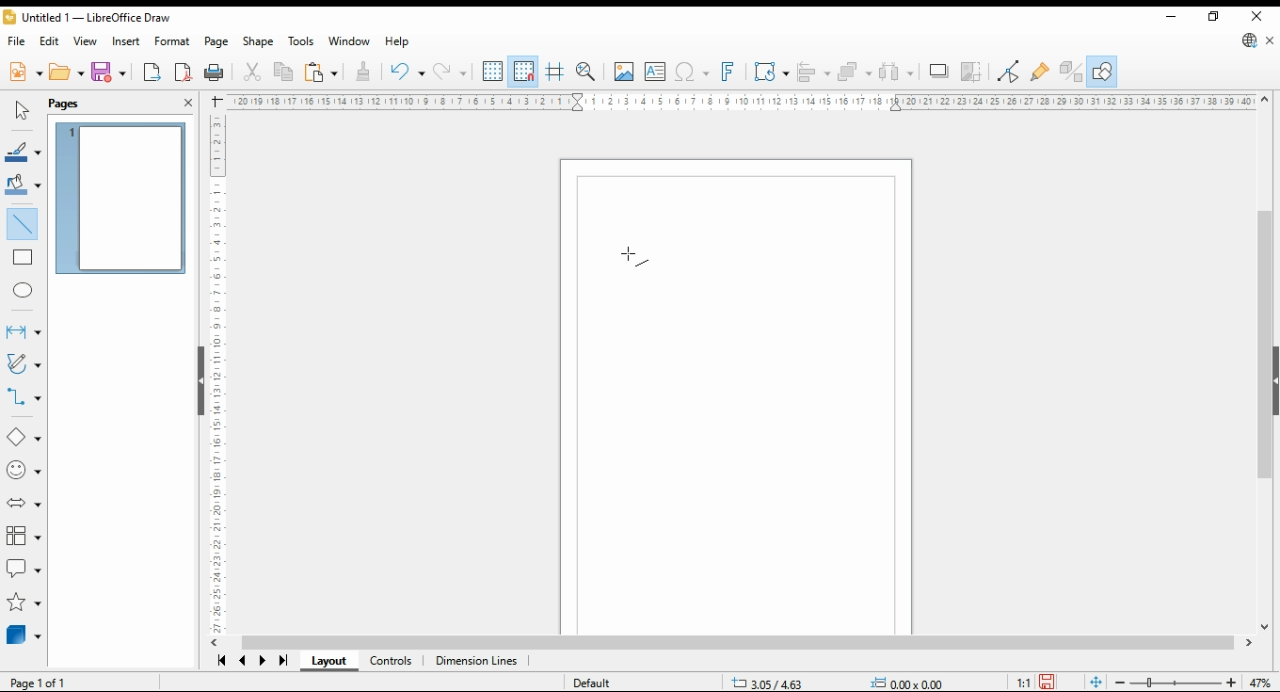 The width and height of the screenshot is (1280, 692). I want to click on align objects, so click(814, 71).